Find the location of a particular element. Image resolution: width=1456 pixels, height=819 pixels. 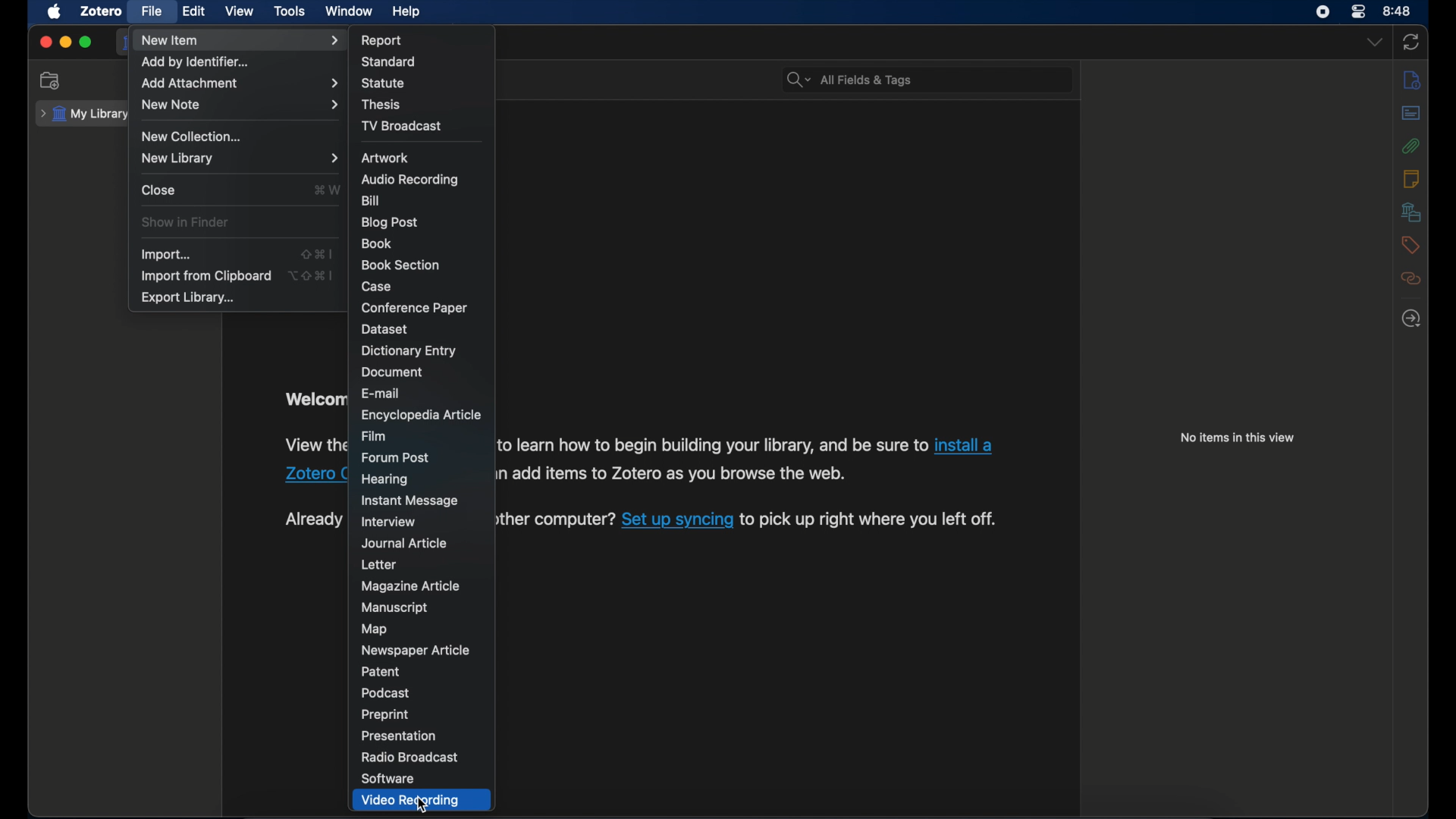

close is located at coordinates (45, 41).